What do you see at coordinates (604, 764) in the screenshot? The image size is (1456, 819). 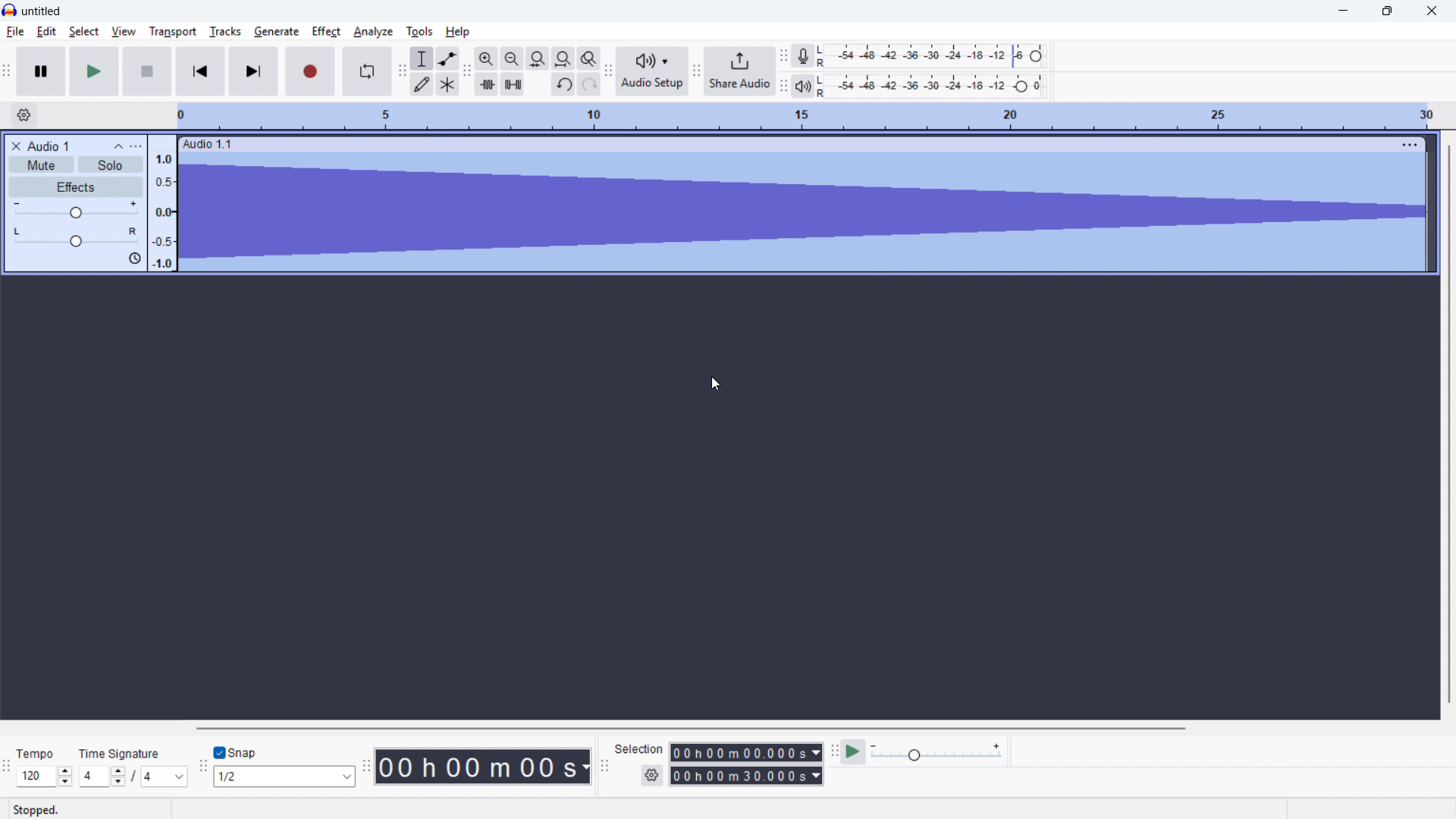 I see `Selection toolbar ` at bounding box center [604, 764].